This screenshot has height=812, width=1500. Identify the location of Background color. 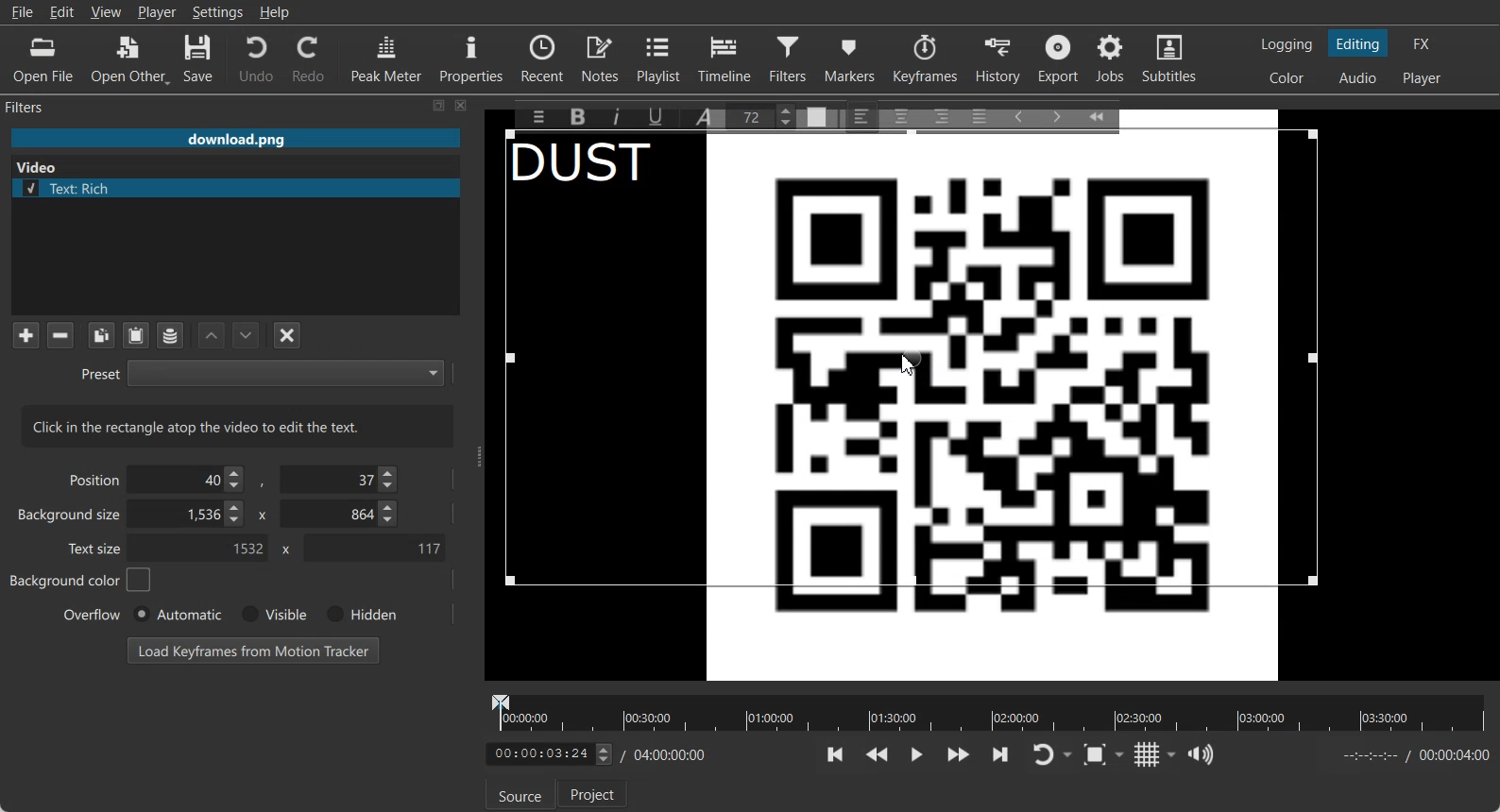
(81, 580).